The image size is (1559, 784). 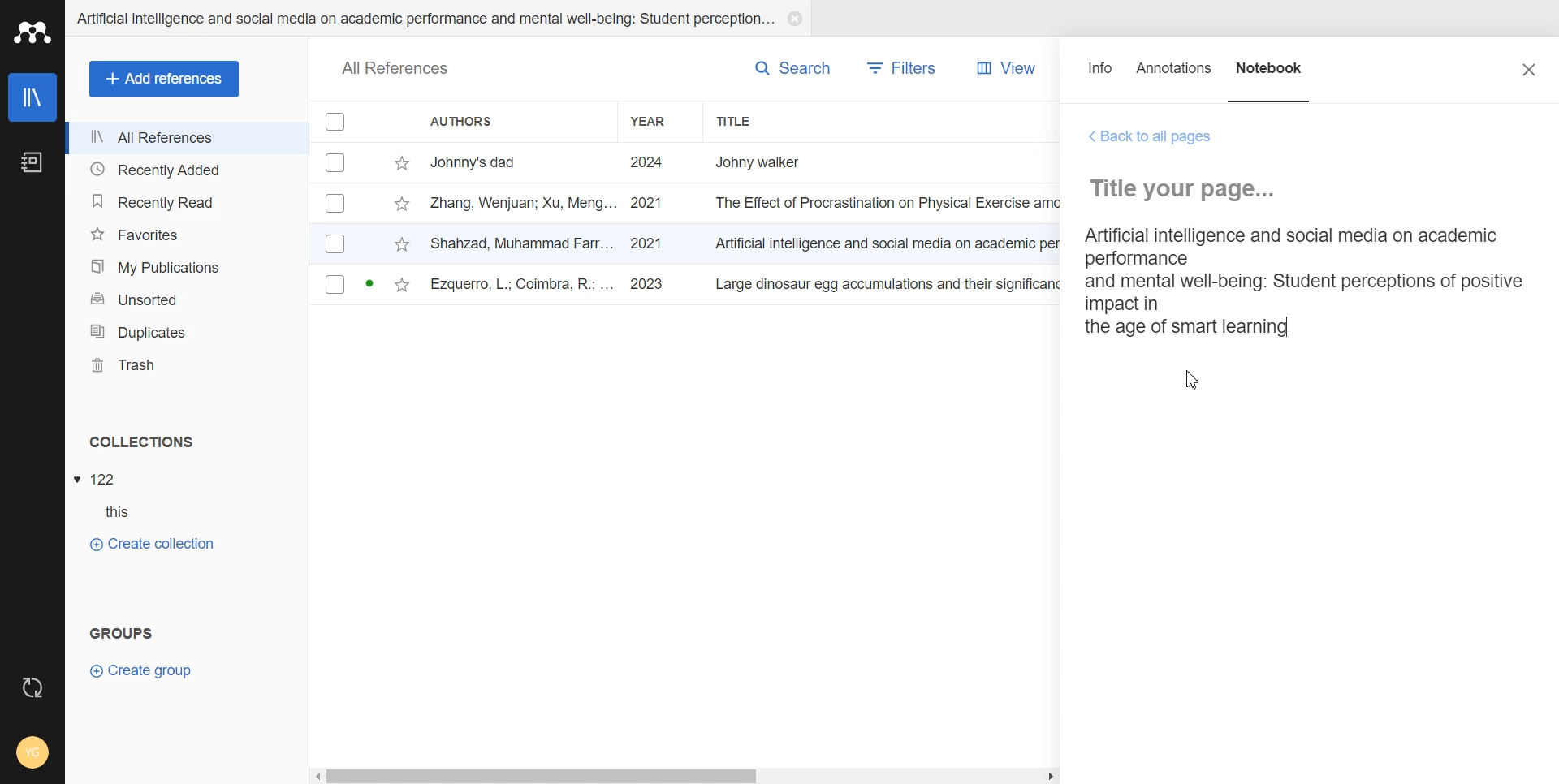 What do you see at coordinates (767, 121) in the screenshot?
I see `Title` at bounding box center [767, 121].